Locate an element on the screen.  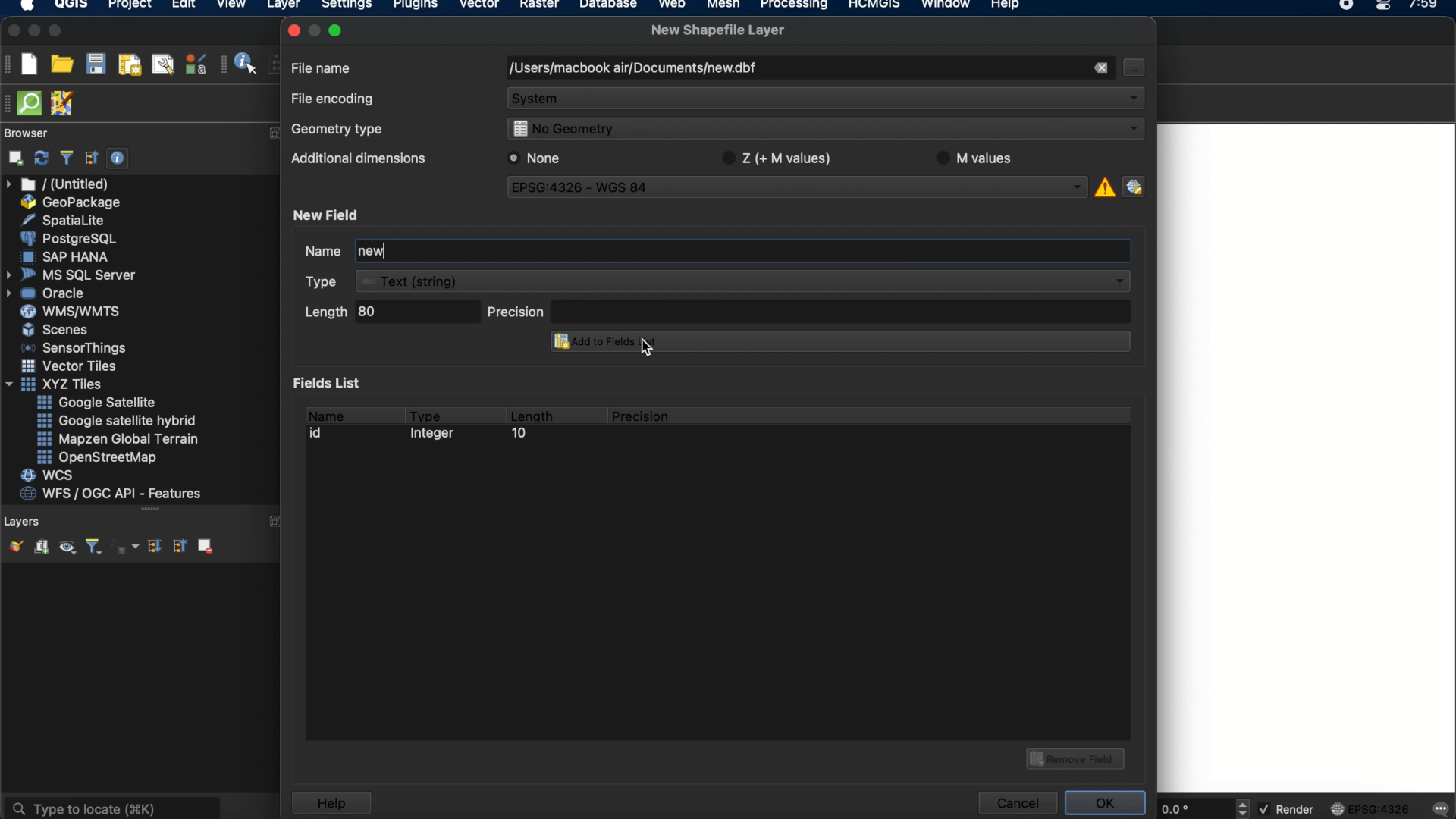
name is located at coordinates (325, 413).